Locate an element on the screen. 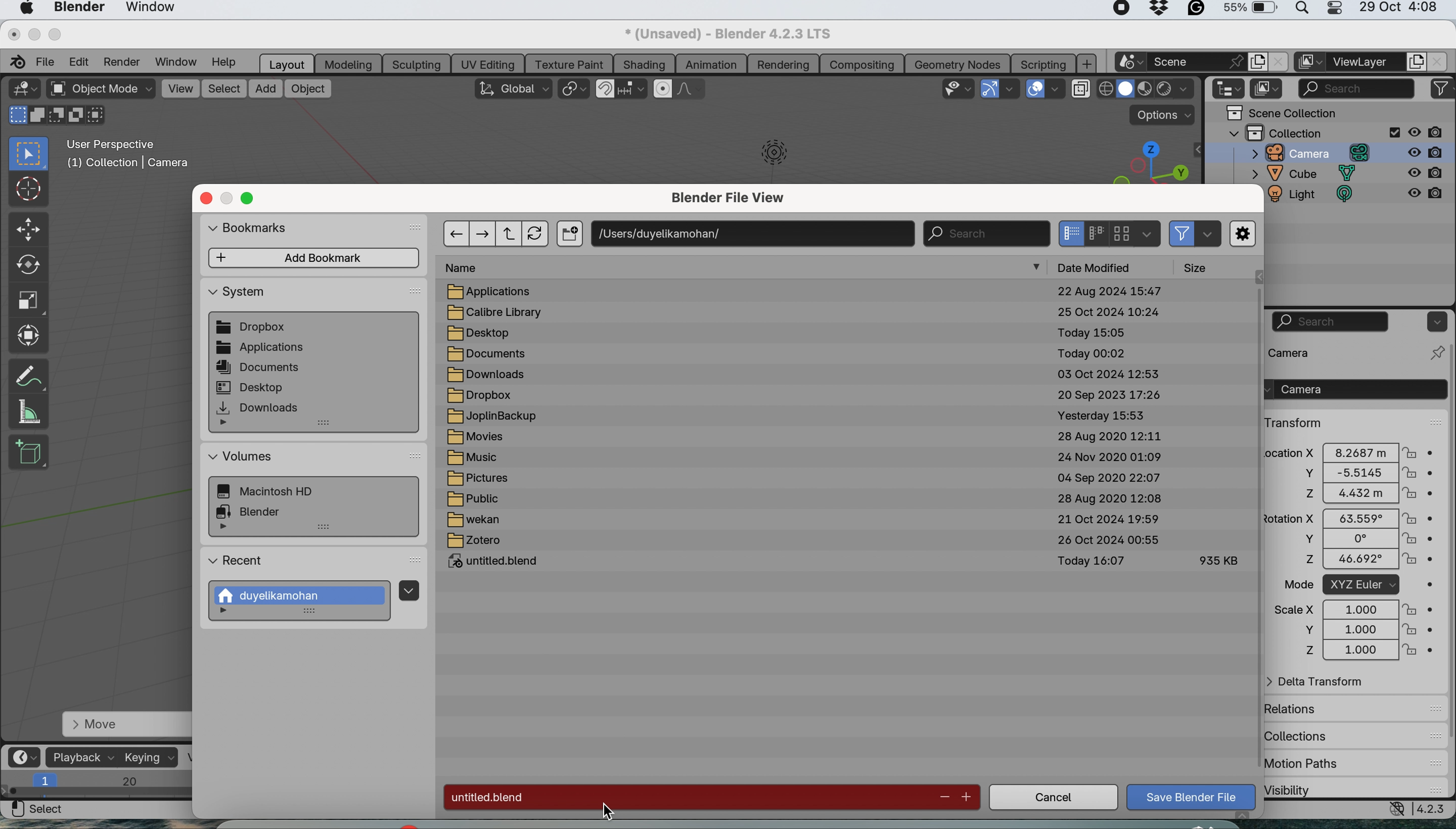  visibility is located at coordinates (1319, 789).